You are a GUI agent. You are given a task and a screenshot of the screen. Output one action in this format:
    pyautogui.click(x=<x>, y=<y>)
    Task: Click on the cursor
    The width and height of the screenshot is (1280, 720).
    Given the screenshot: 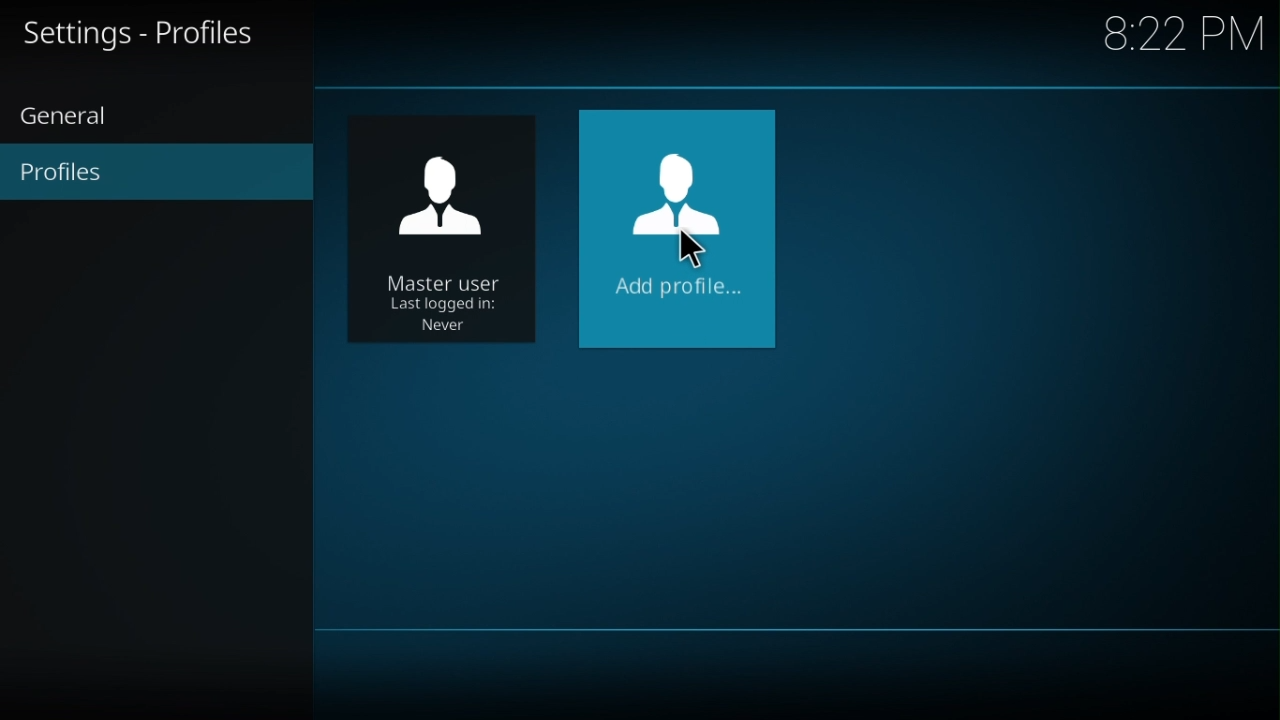 What is the action you would take?
    pyautogui.click(x=699, y=251)
    